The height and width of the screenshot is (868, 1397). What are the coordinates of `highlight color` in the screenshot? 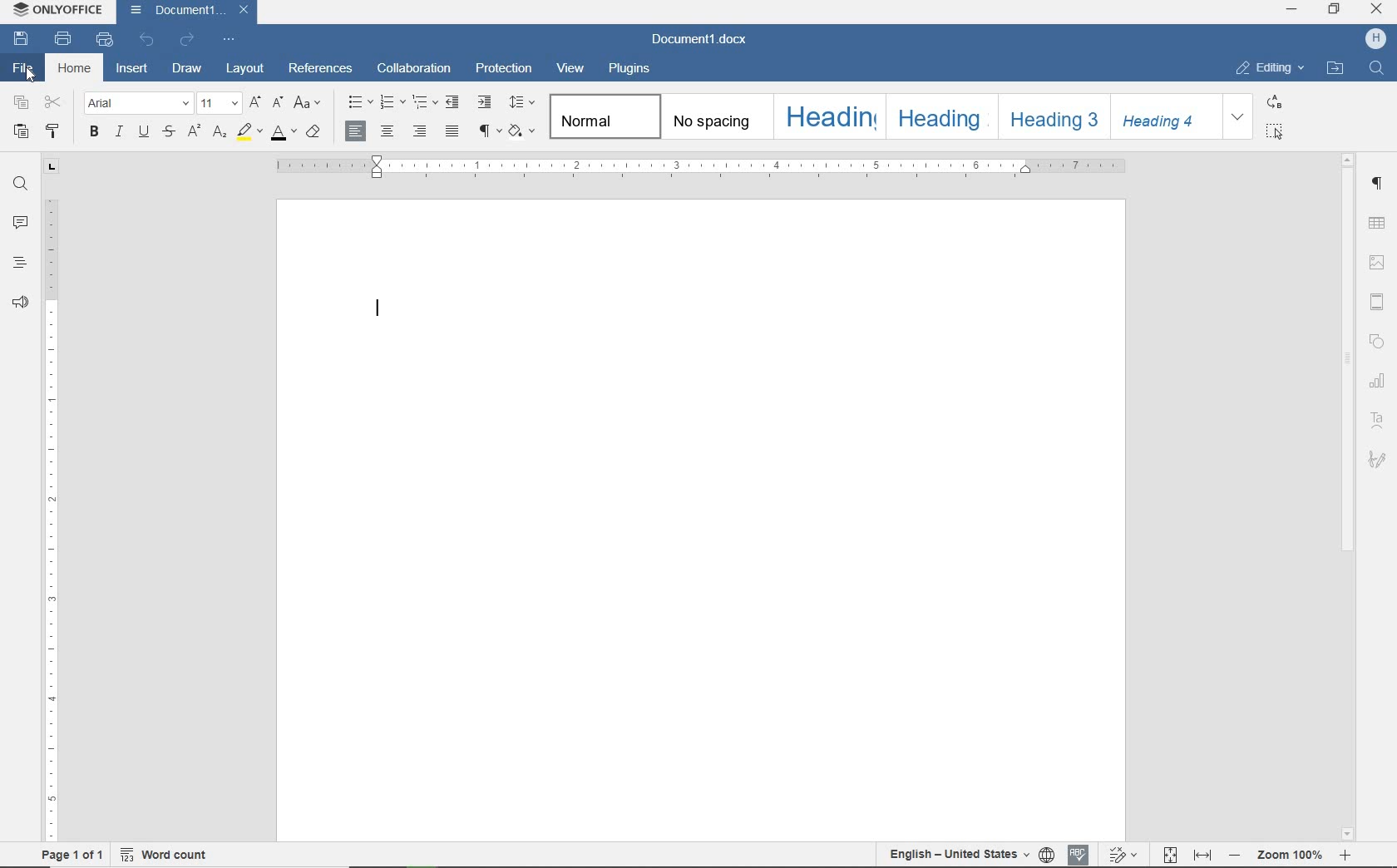 It's located at (253, 133).